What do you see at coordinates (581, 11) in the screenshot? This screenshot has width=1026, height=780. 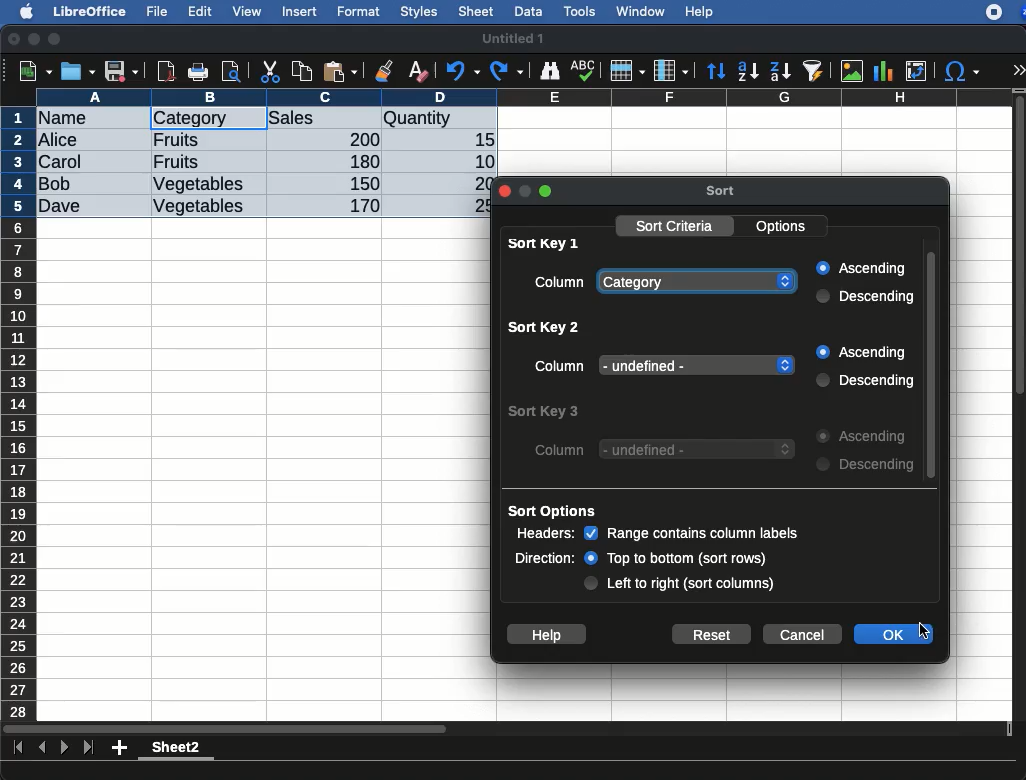 I see `tools` at bounding box center [581, 11].